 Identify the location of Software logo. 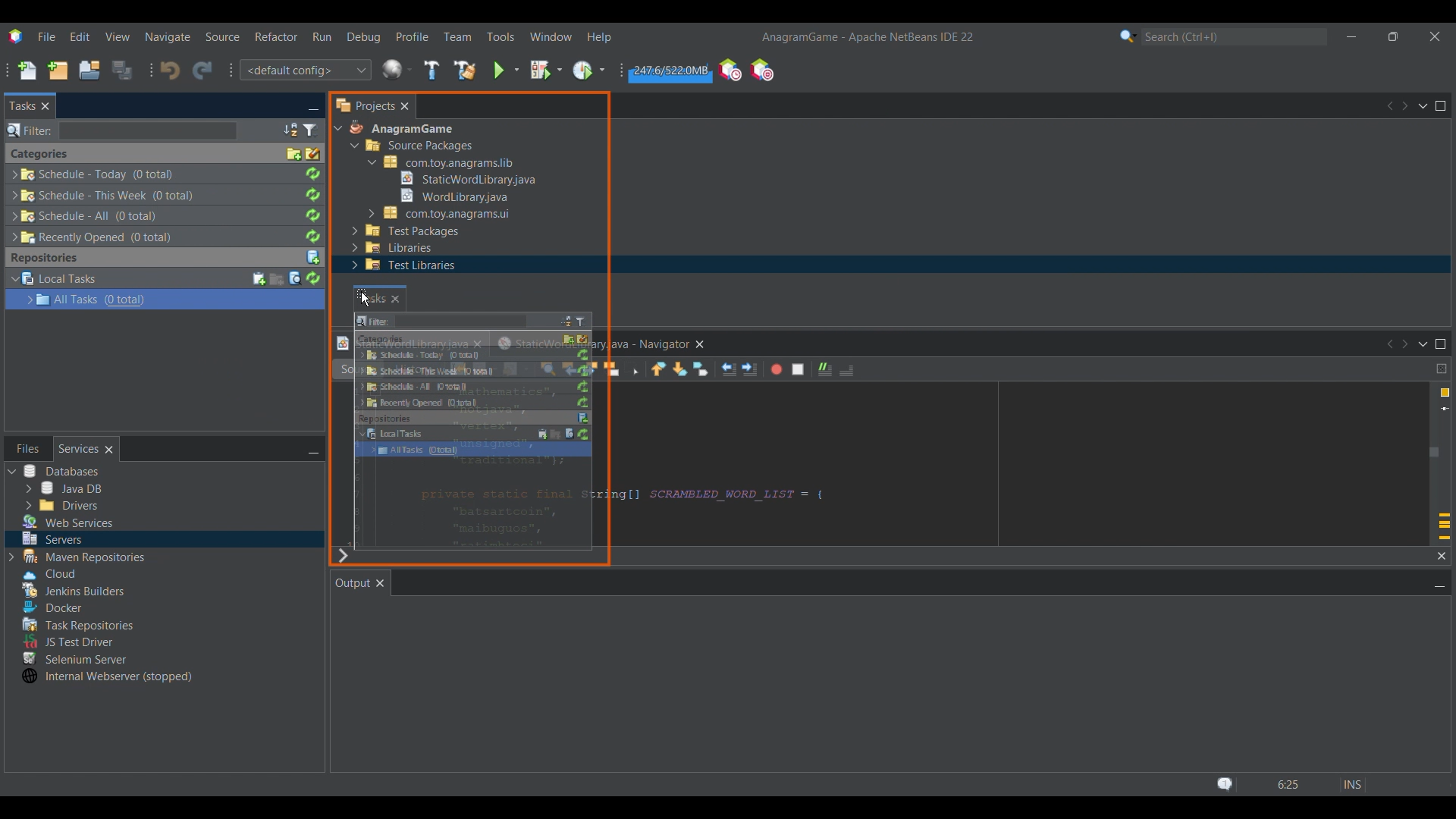
(16, 36).